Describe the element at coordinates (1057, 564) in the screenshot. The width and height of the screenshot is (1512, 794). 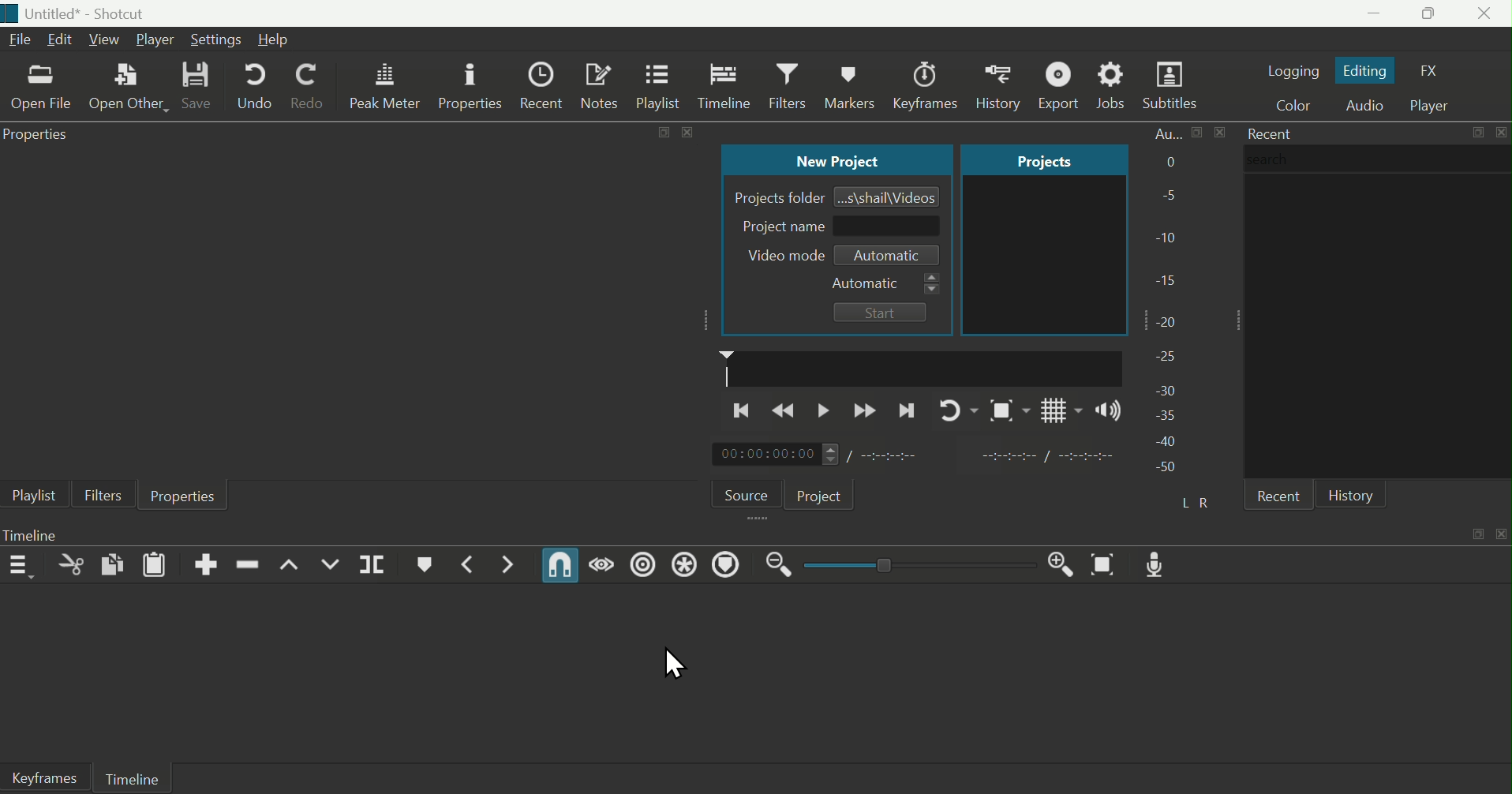
I see `Zoom Timeline In` at that location.